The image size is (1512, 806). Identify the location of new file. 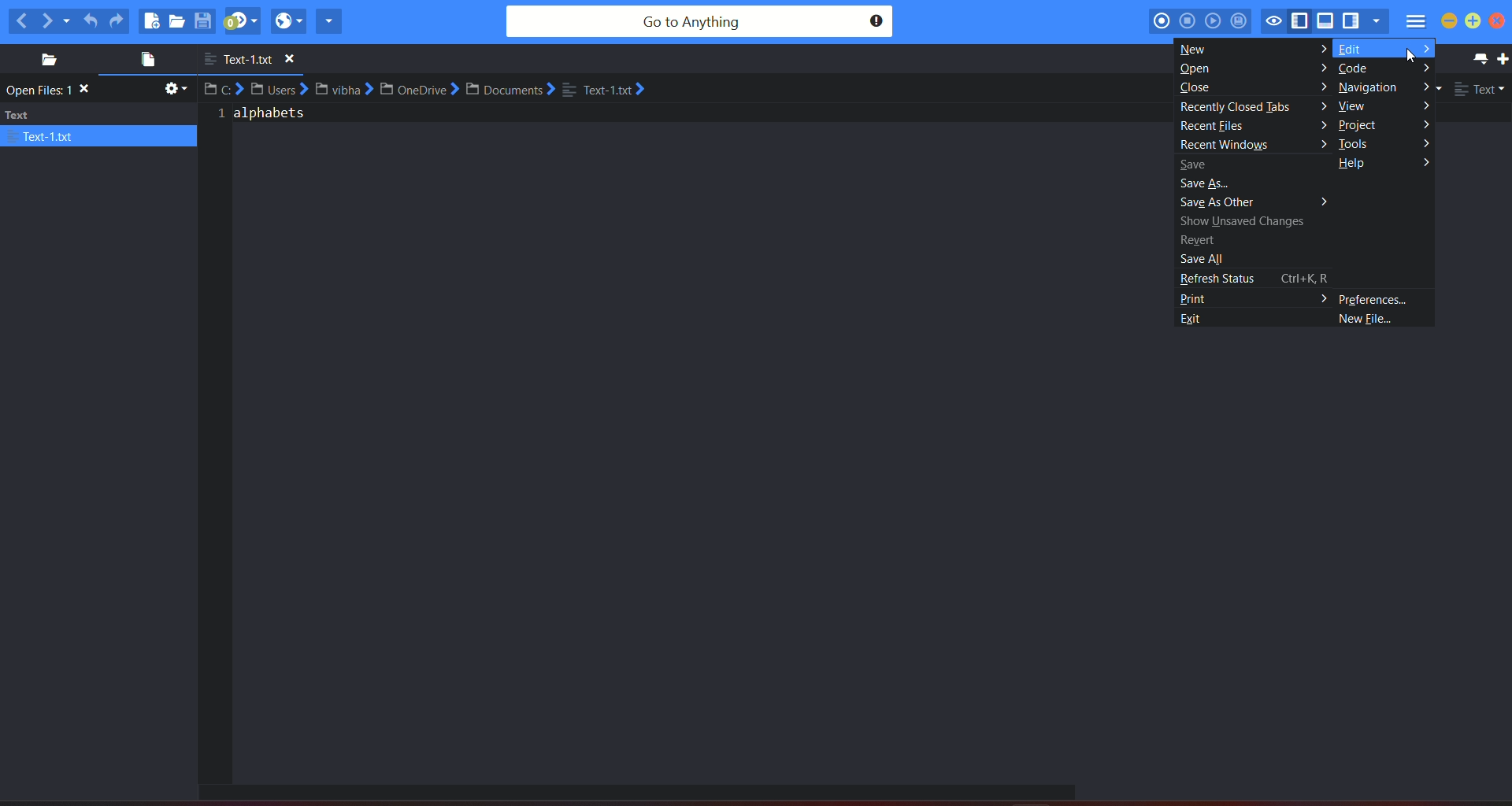
(1370, 320).